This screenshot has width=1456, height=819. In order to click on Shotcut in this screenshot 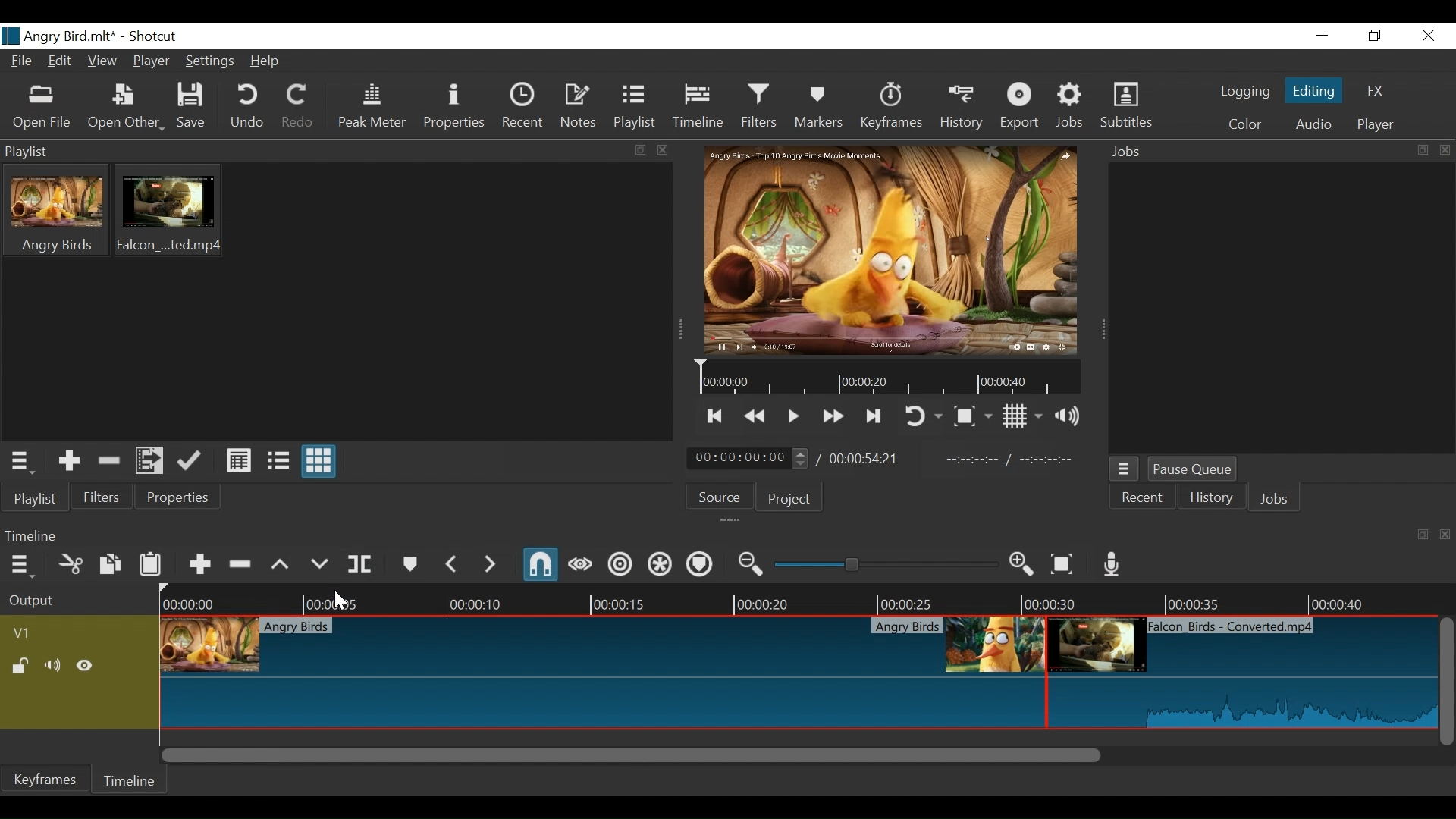, I will do `click(153, 36)`.